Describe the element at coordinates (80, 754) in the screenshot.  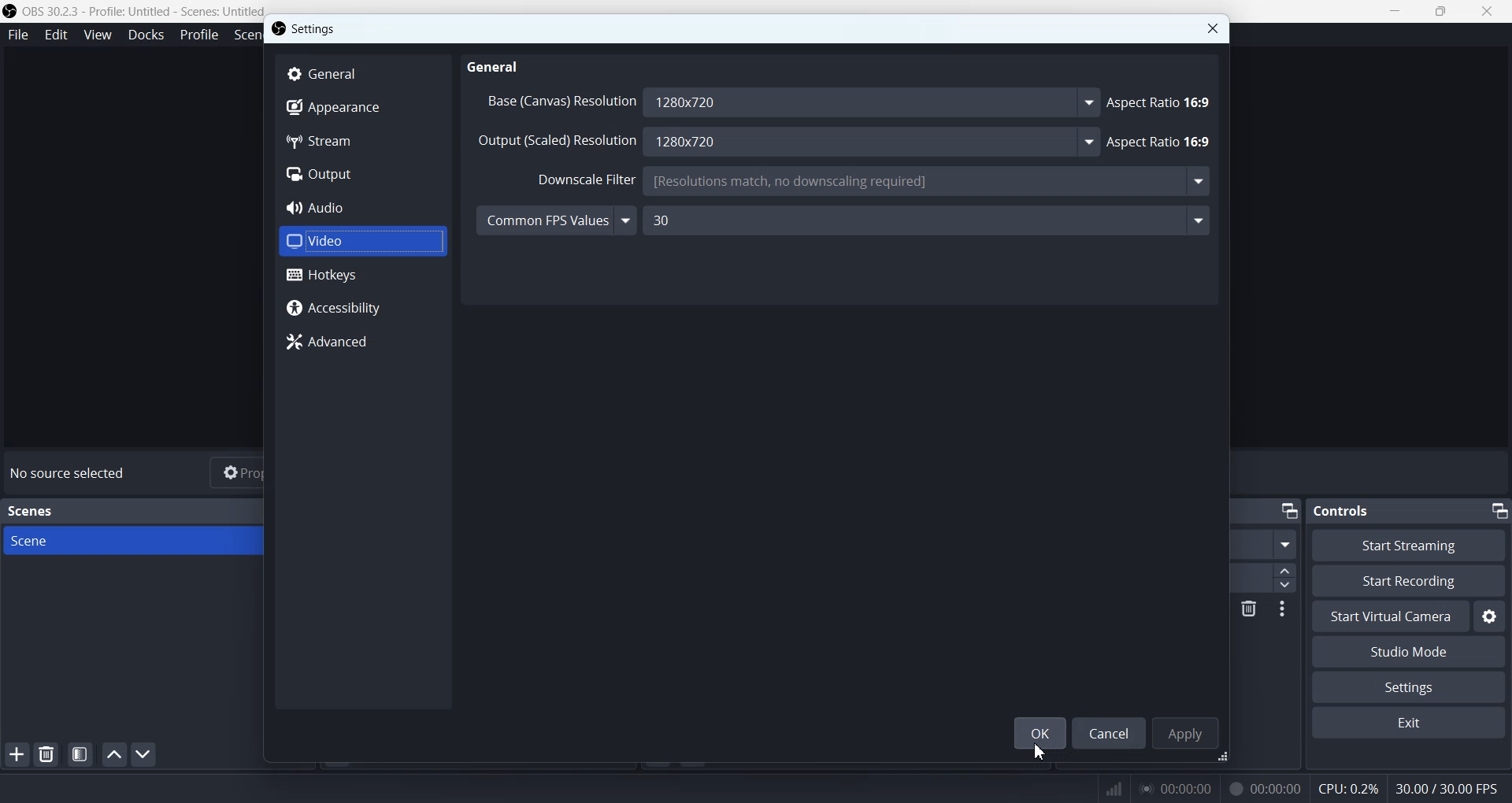
I see `Open scene filter` at that location.